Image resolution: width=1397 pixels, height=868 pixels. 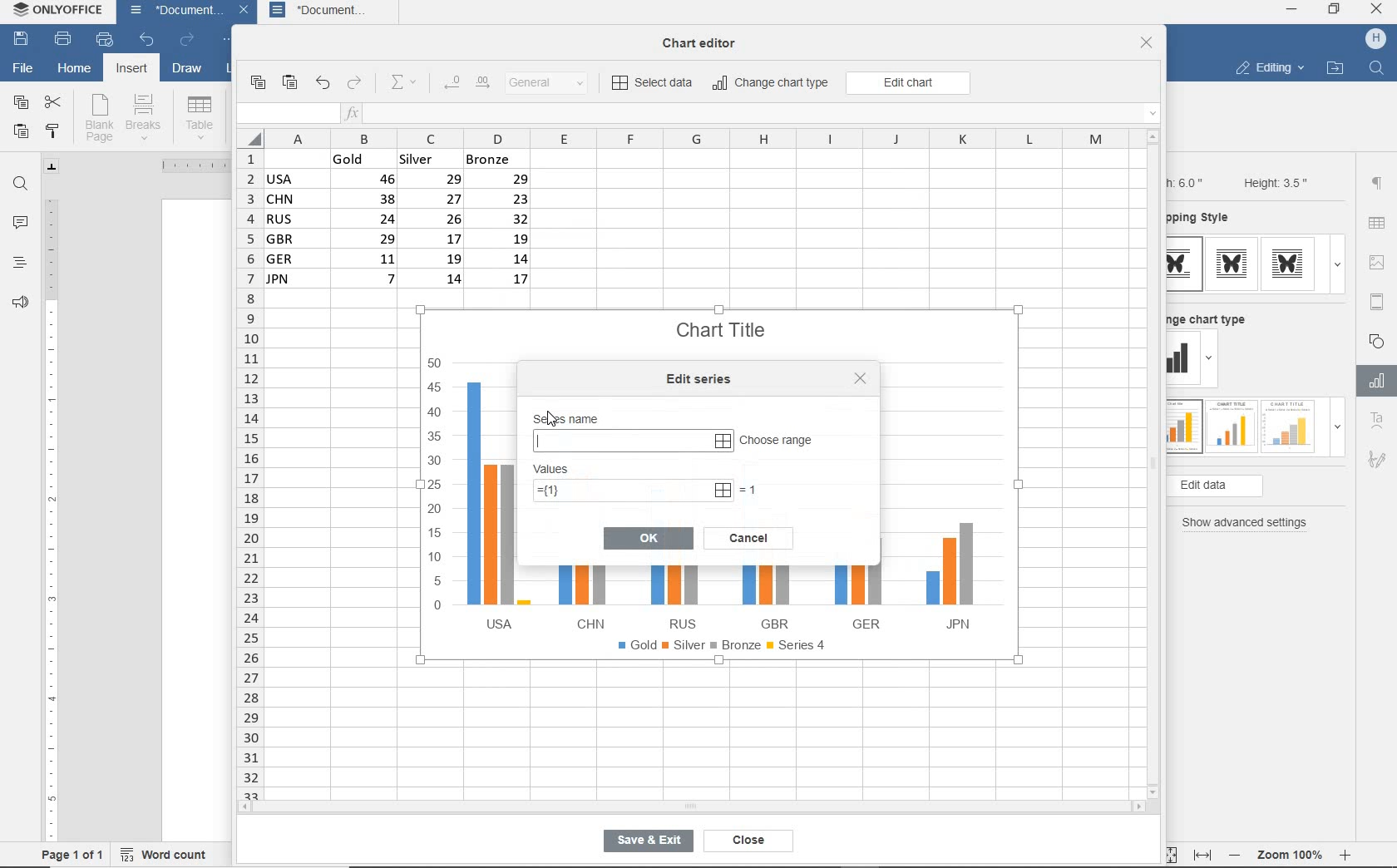 What do you see at coordinates (188, 71) in the screenshot?
I see `draw` at bounding box center [188, 71].